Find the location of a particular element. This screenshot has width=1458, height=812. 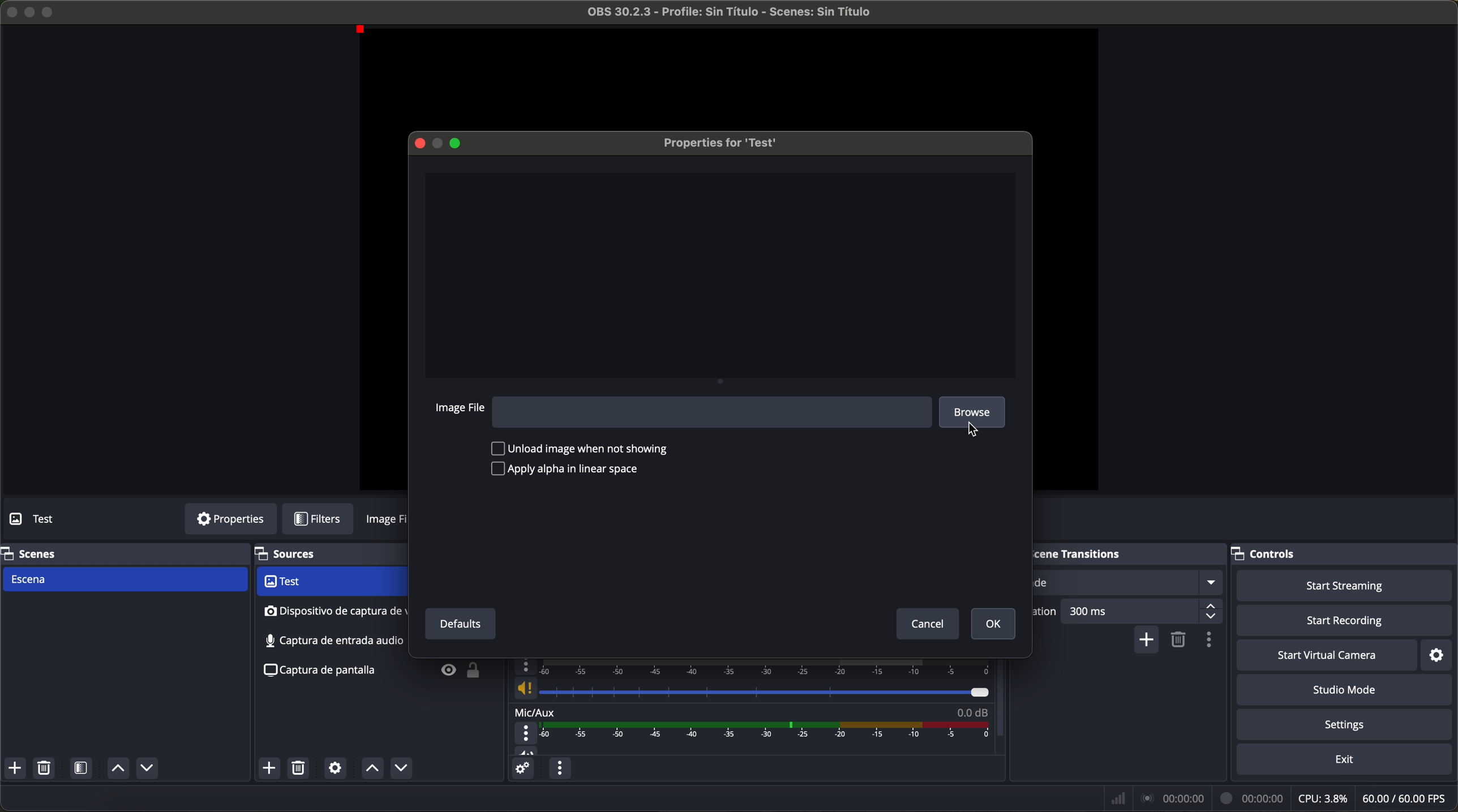

duration is located at coordinates (1047, 613).